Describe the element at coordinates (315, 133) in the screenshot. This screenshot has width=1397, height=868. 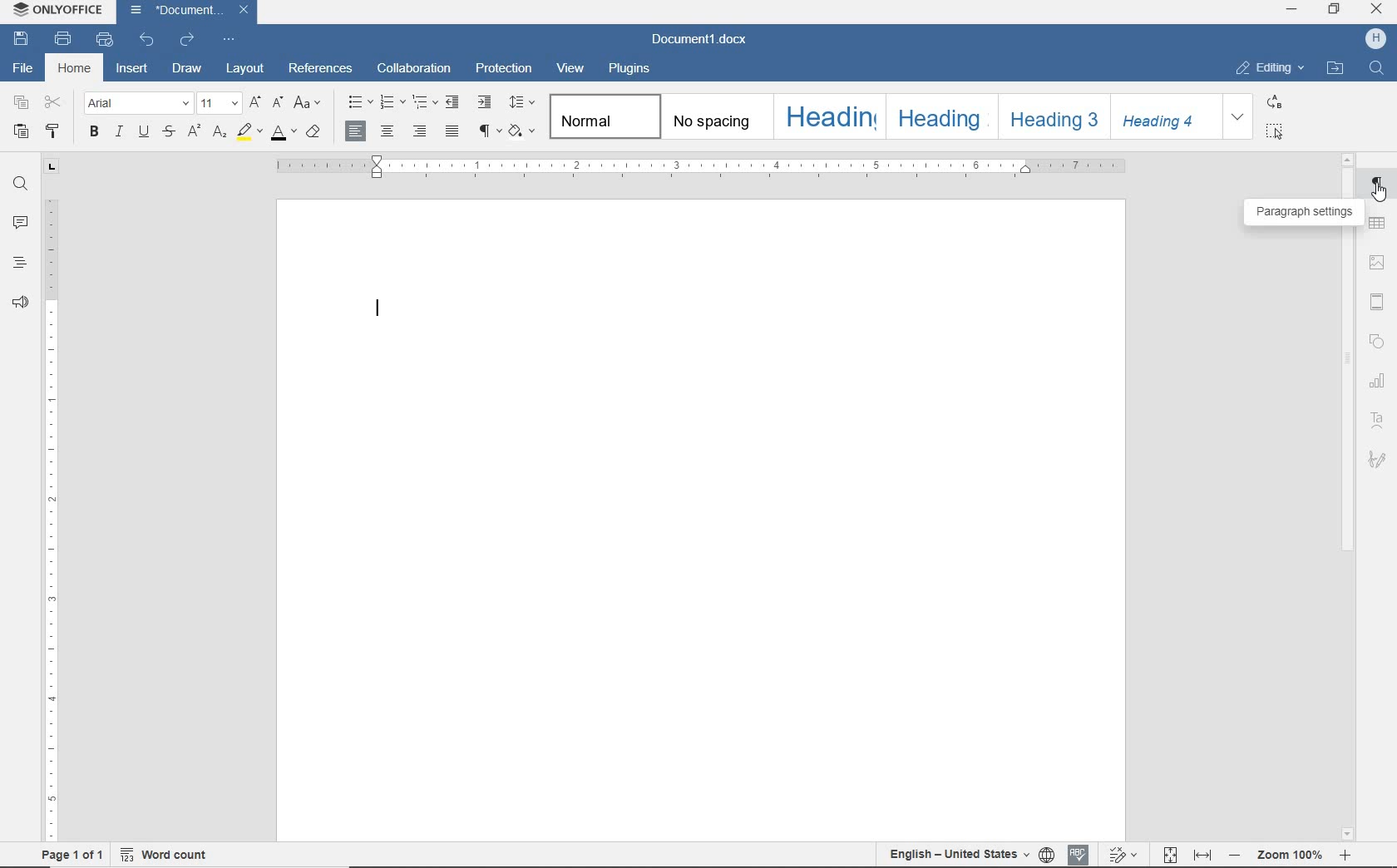
I see `clear style` at that location.